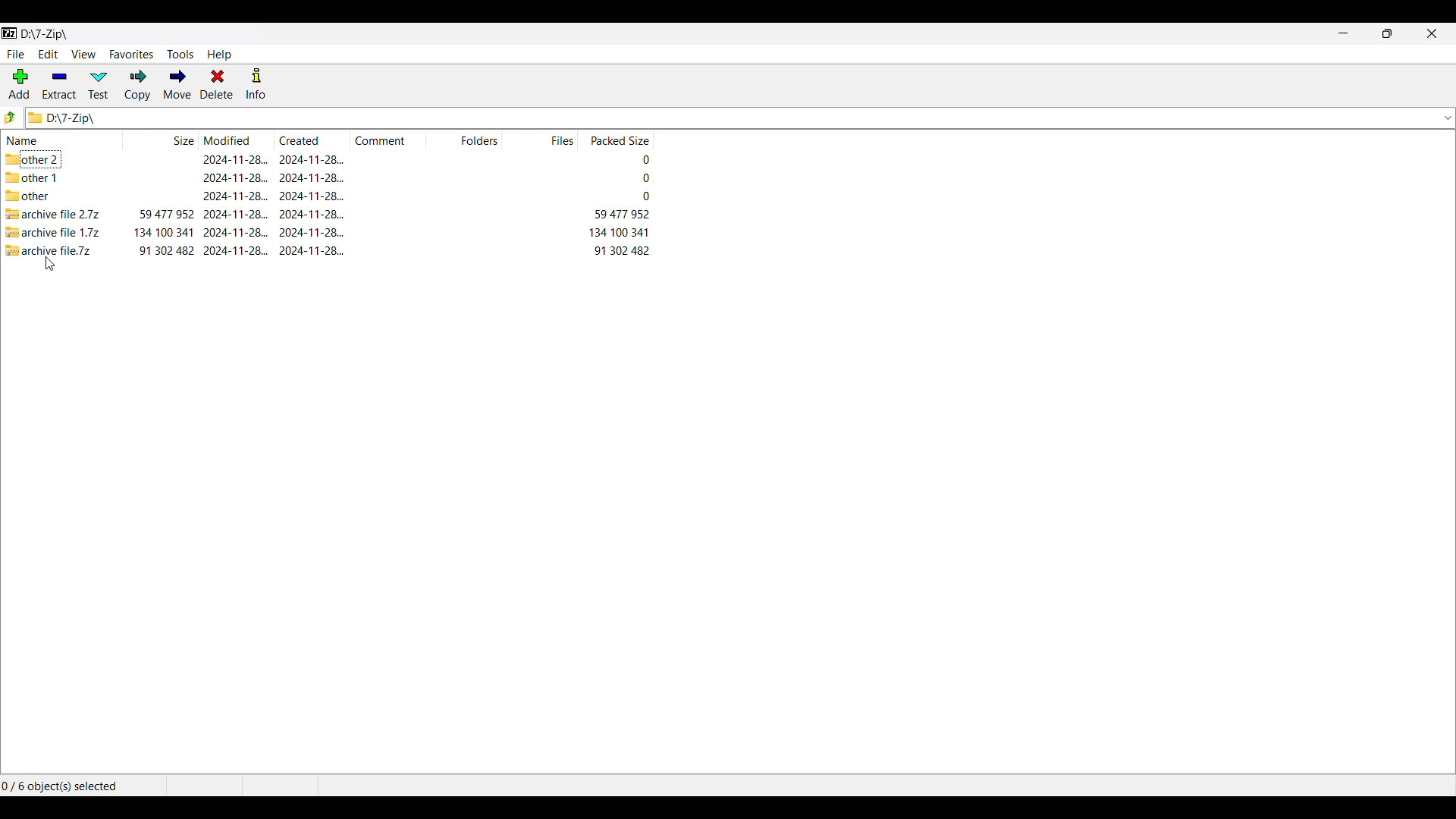 The width and height of the screenshot is (1456, 819). Describe the element at coordinates (621, 232) in the screenshot. I see `packed size` at that location.